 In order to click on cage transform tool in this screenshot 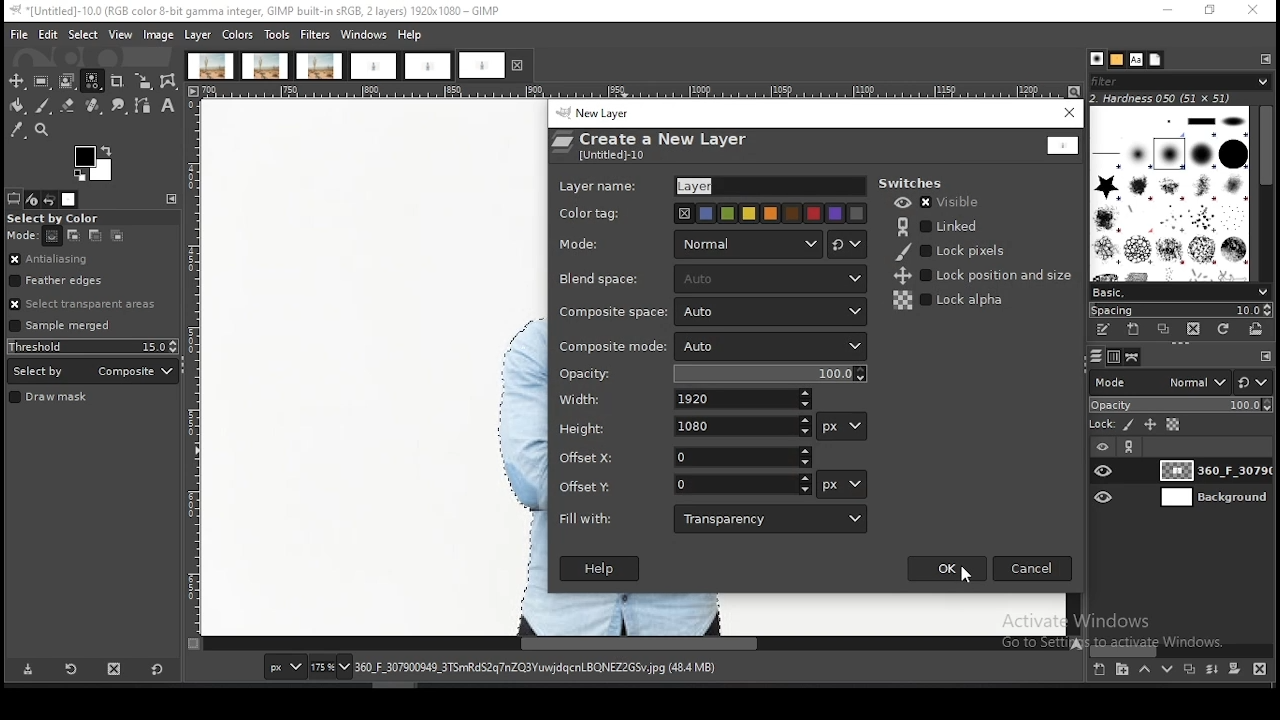, I will do `click(170, 81)`.